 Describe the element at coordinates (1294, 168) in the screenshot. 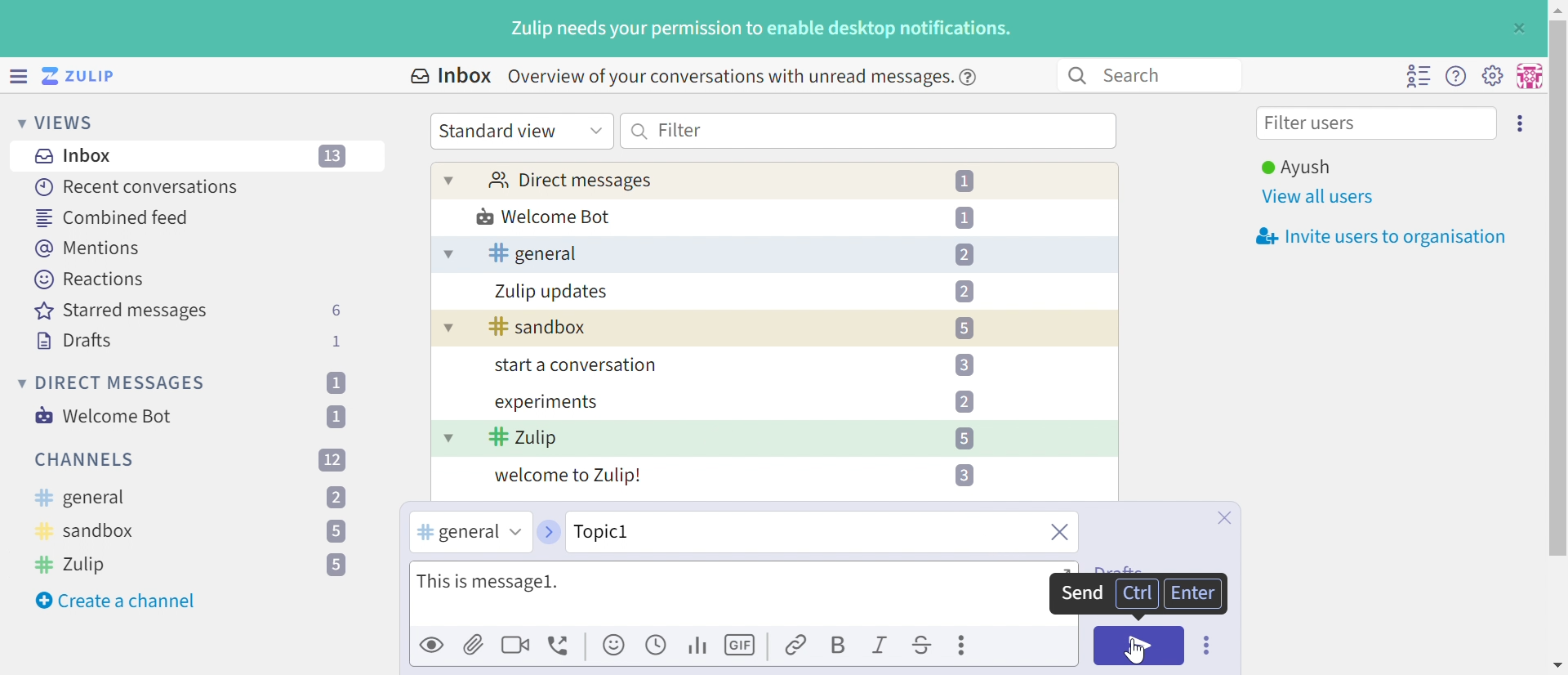

I see `Ayush` at that location.